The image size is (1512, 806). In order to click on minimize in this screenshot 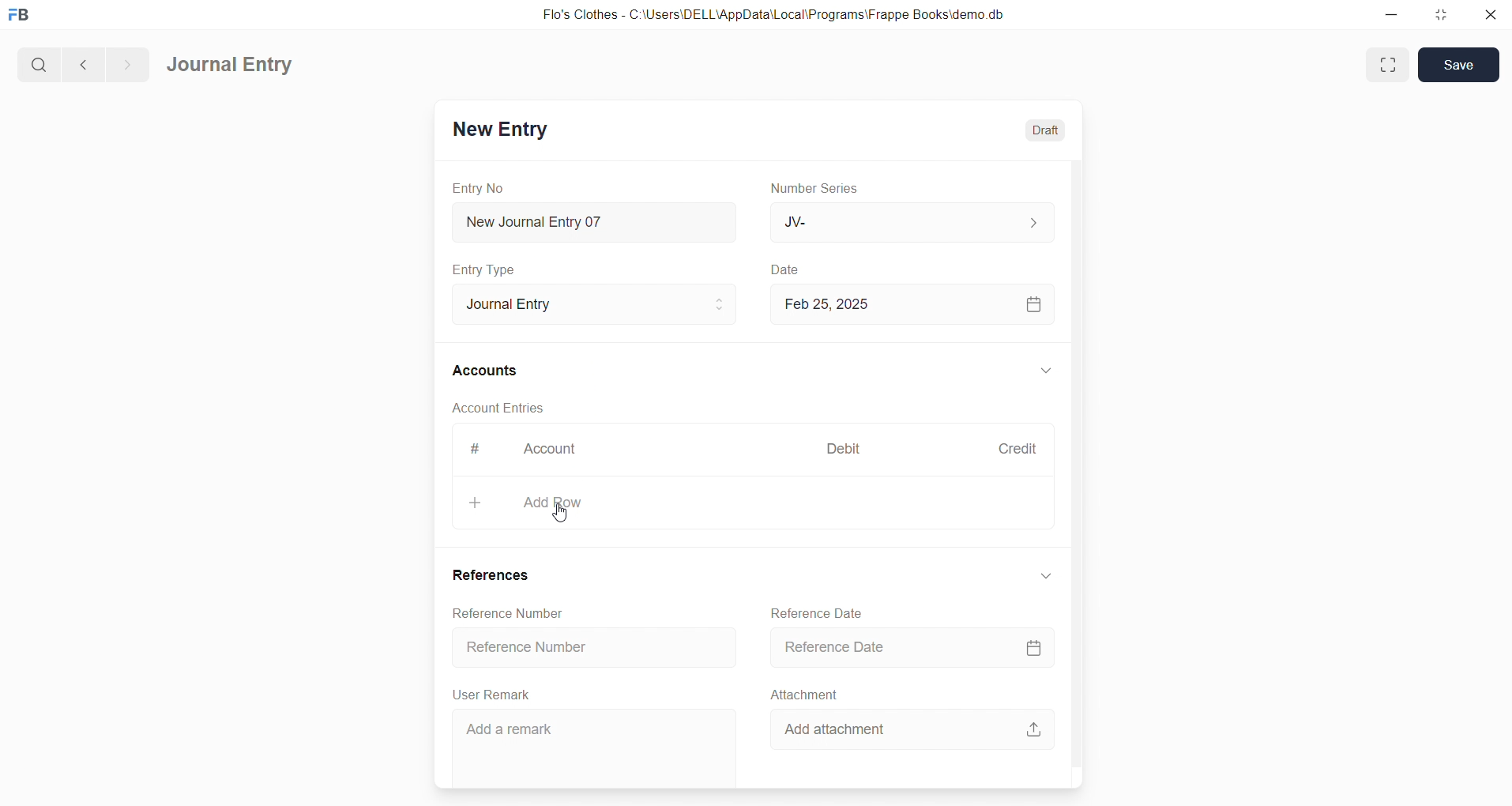, I will do `click(1390, 16)`.